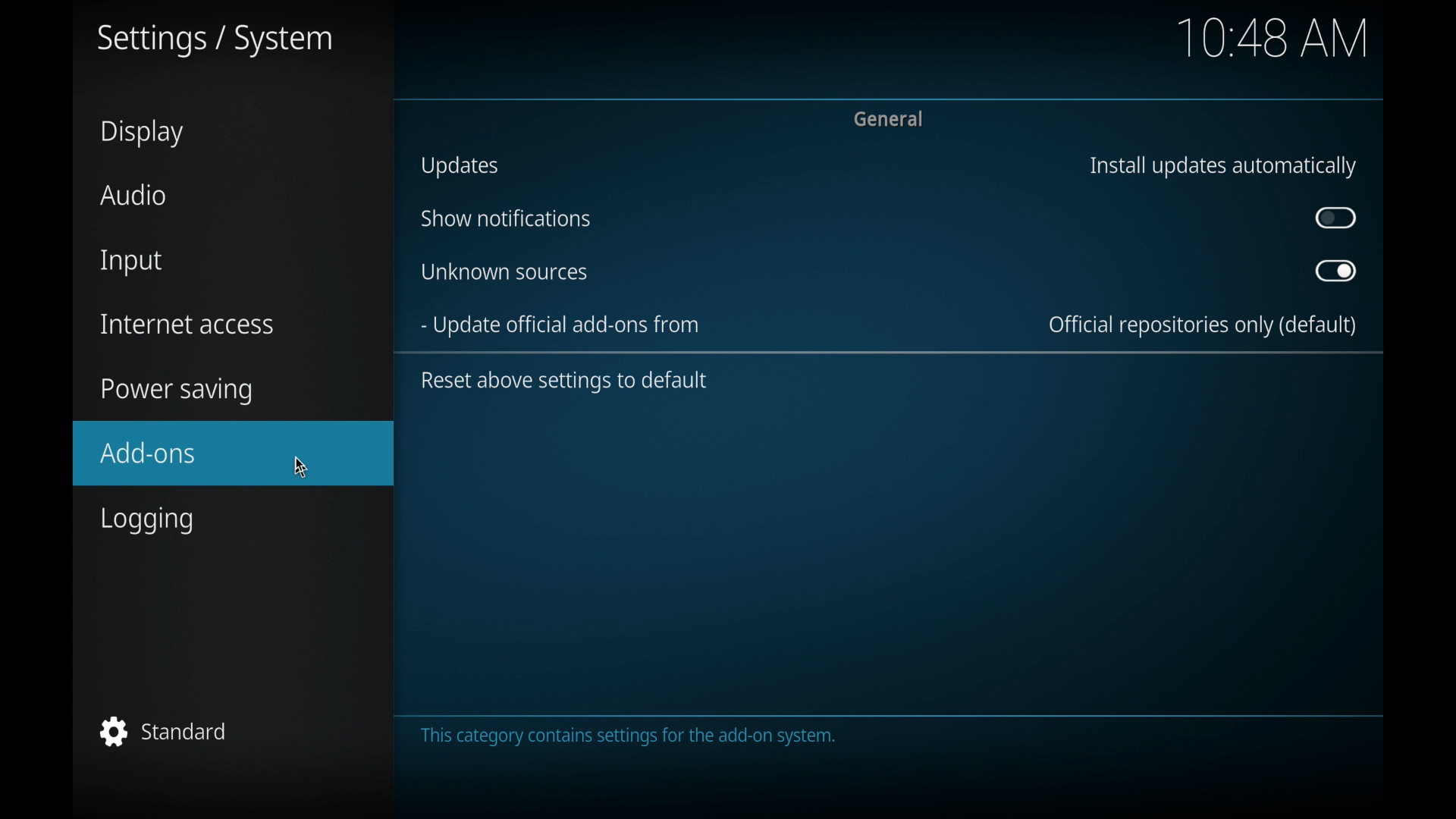 Image resolution: width=1456 pixels, height=819 pixels. I want to click on unknown sources, so click(505, 271).